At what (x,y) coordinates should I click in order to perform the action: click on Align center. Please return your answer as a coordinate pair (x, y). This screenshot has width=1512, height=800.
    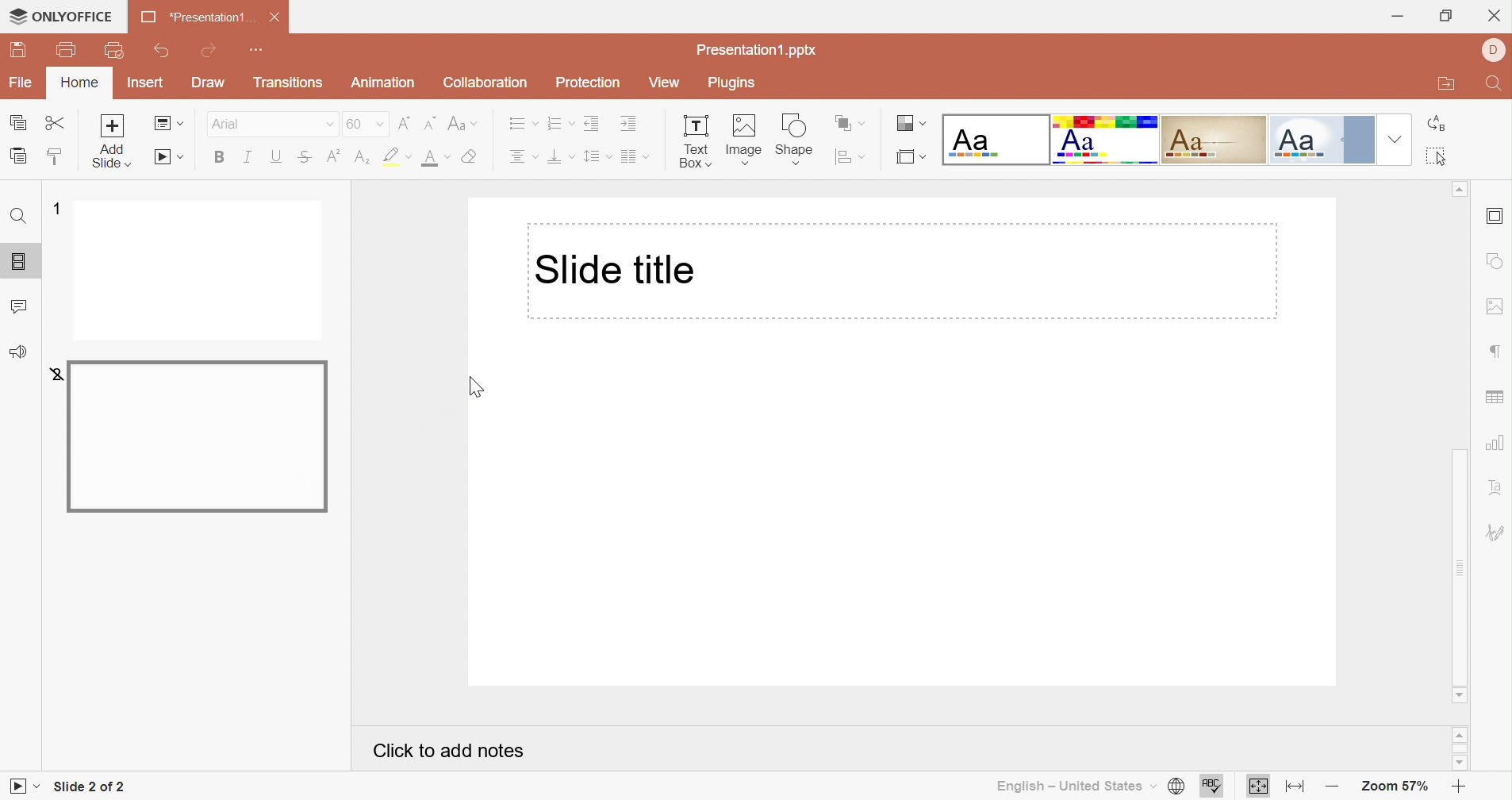
    Looking at the image, I should click on (524, 157).